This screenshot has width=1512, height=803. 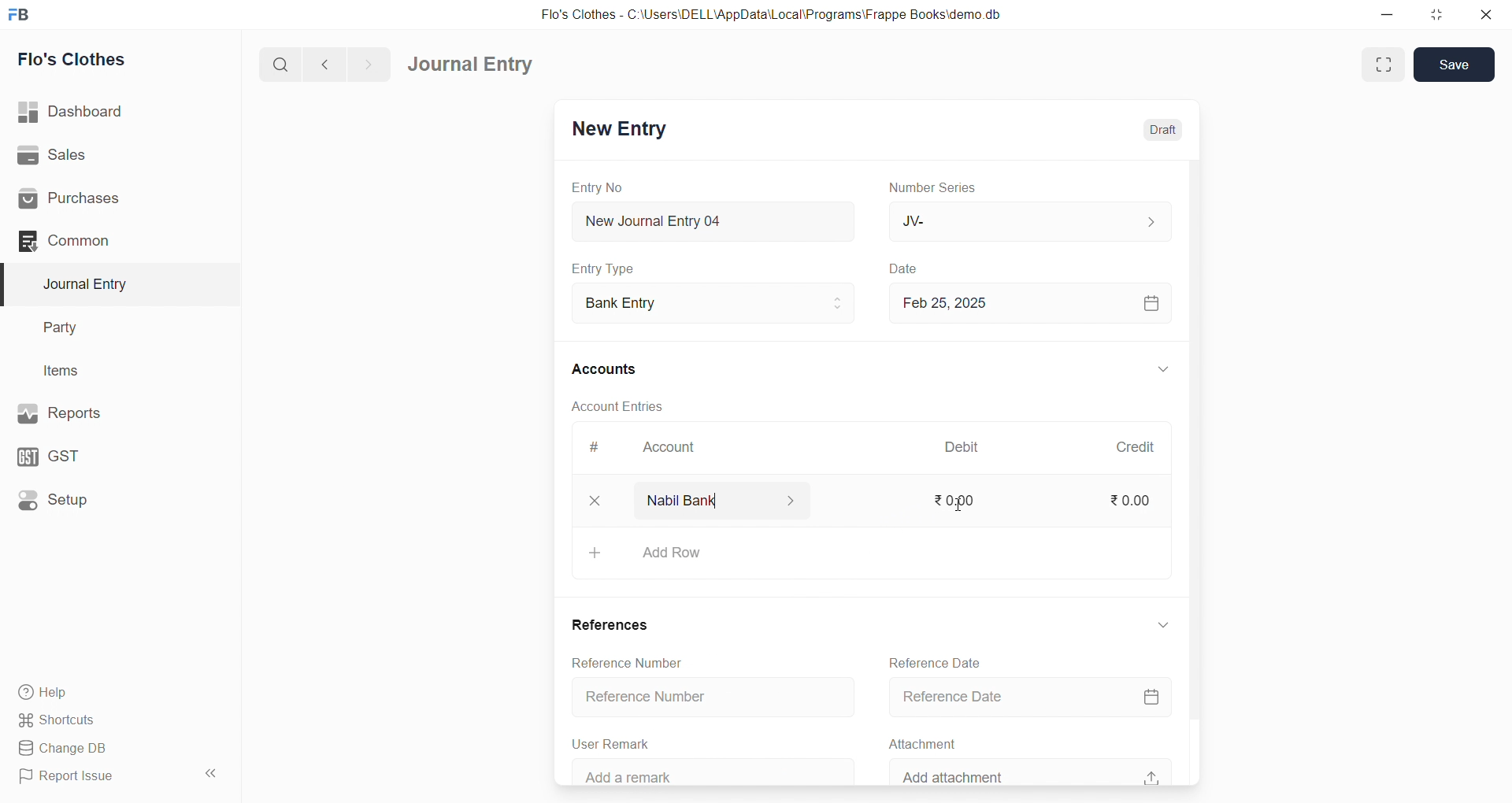 I want to click on Entry No., so click(x=597, y=187).